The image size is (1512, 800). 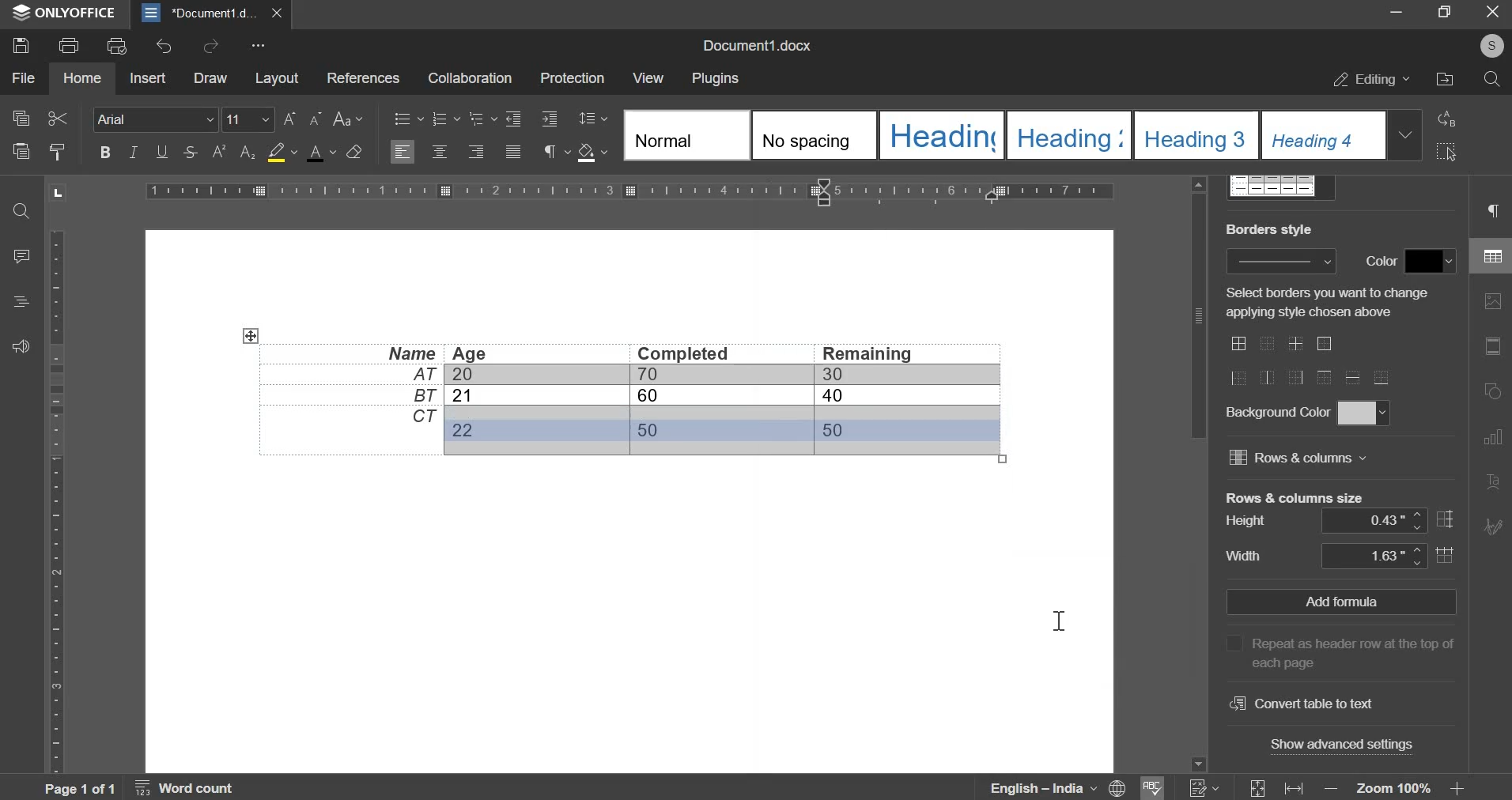 What do you see at coordinates (1298, 457) in the screenshot?
I see `rows and columns` at bounding box center [1298, 457].